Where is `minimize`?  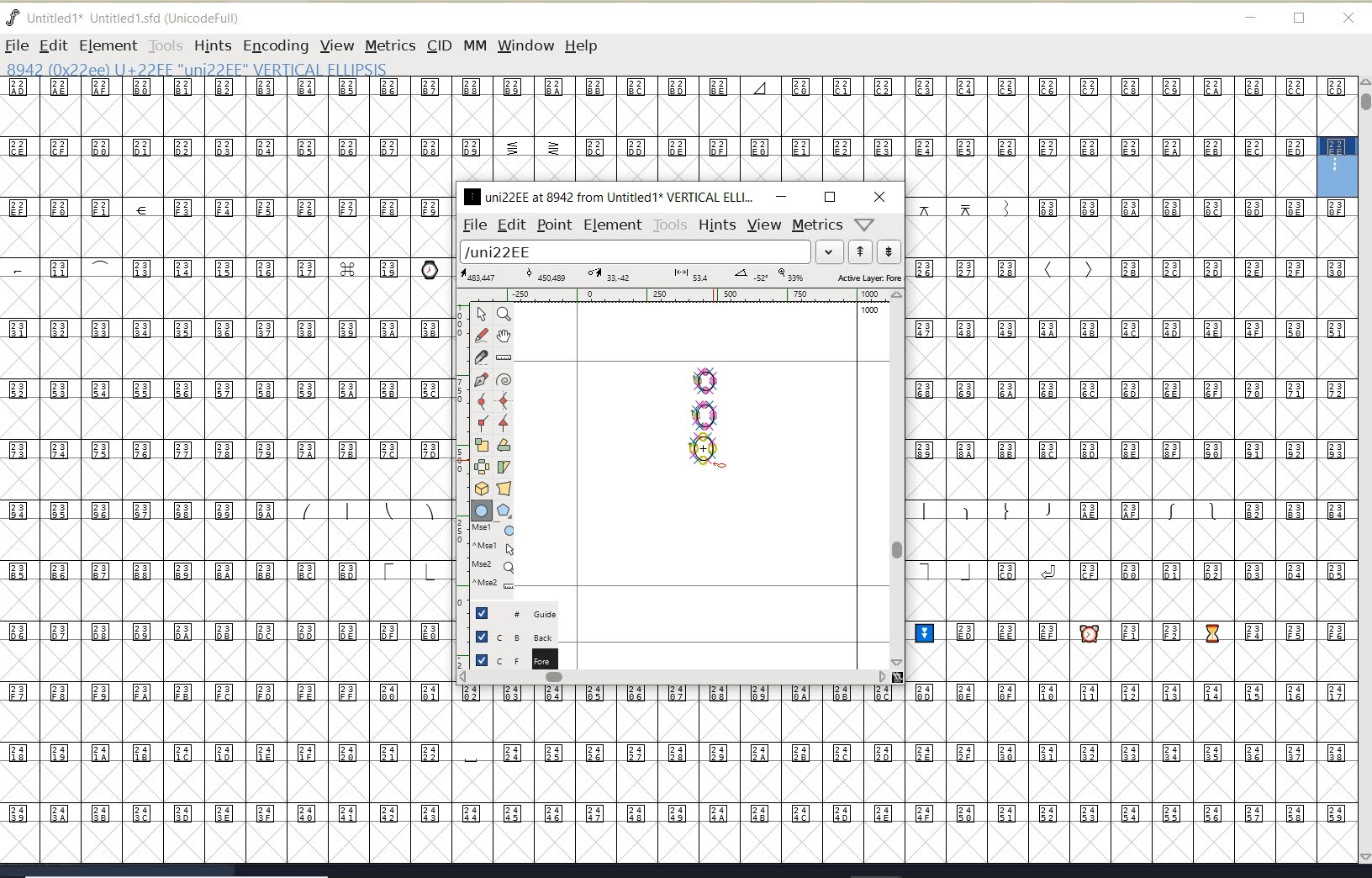 minimize is located at coordinates (1251, 18).